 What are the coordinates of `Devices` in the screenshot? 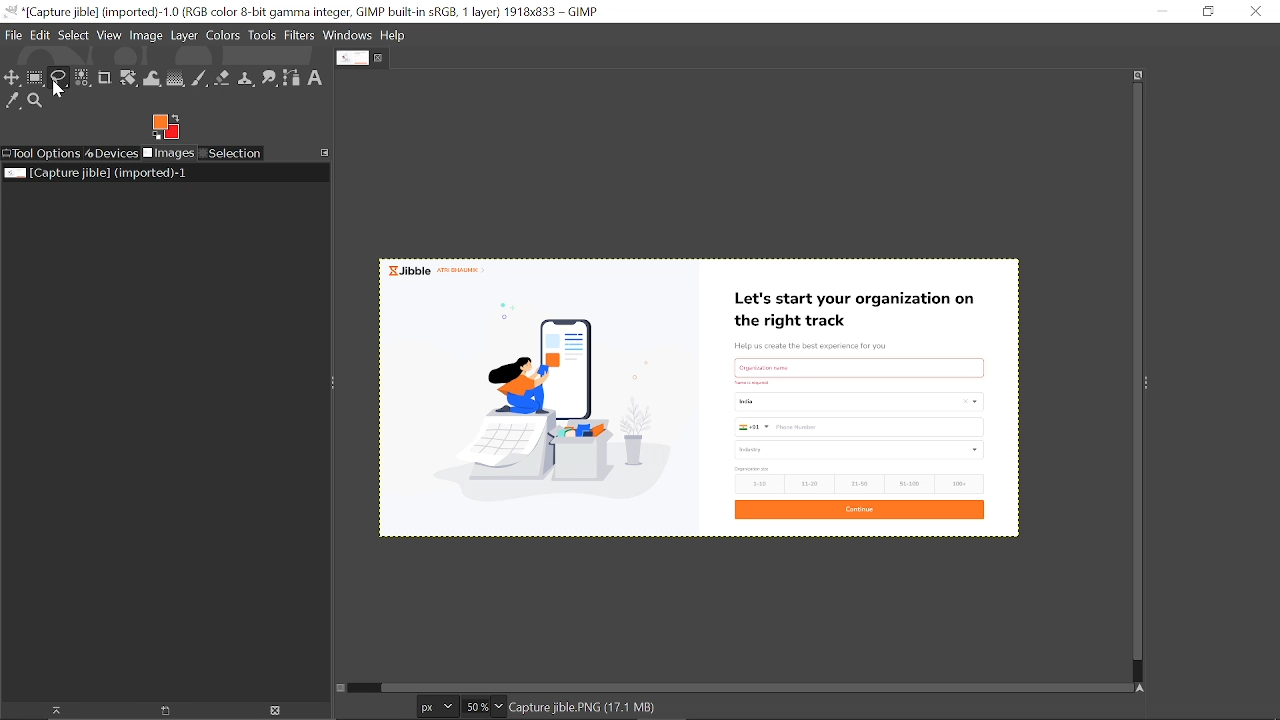 It's located at (112, 152).